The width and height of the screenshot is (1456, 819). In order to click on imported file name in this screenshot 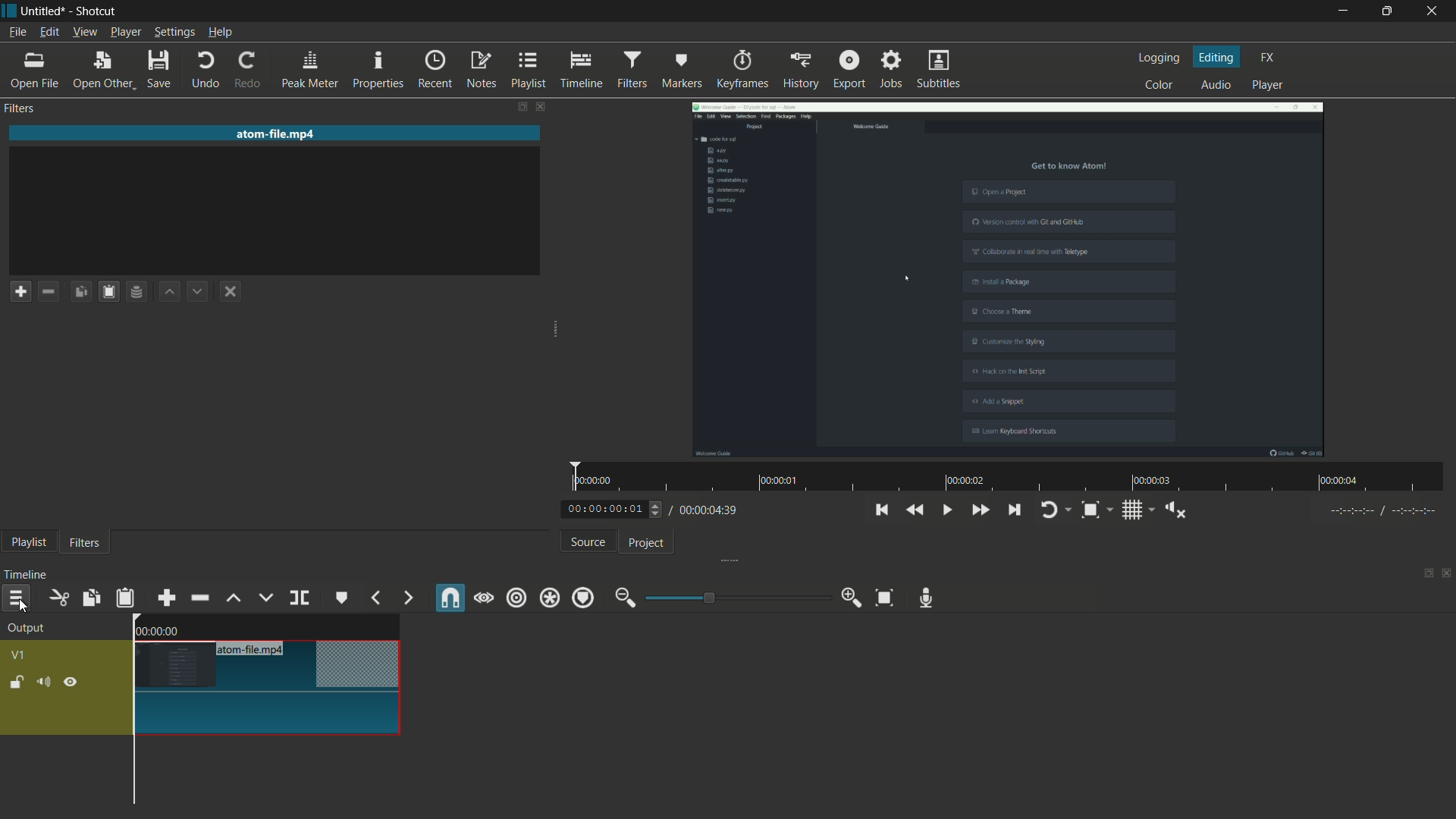, I will do `click(275, 133)`.